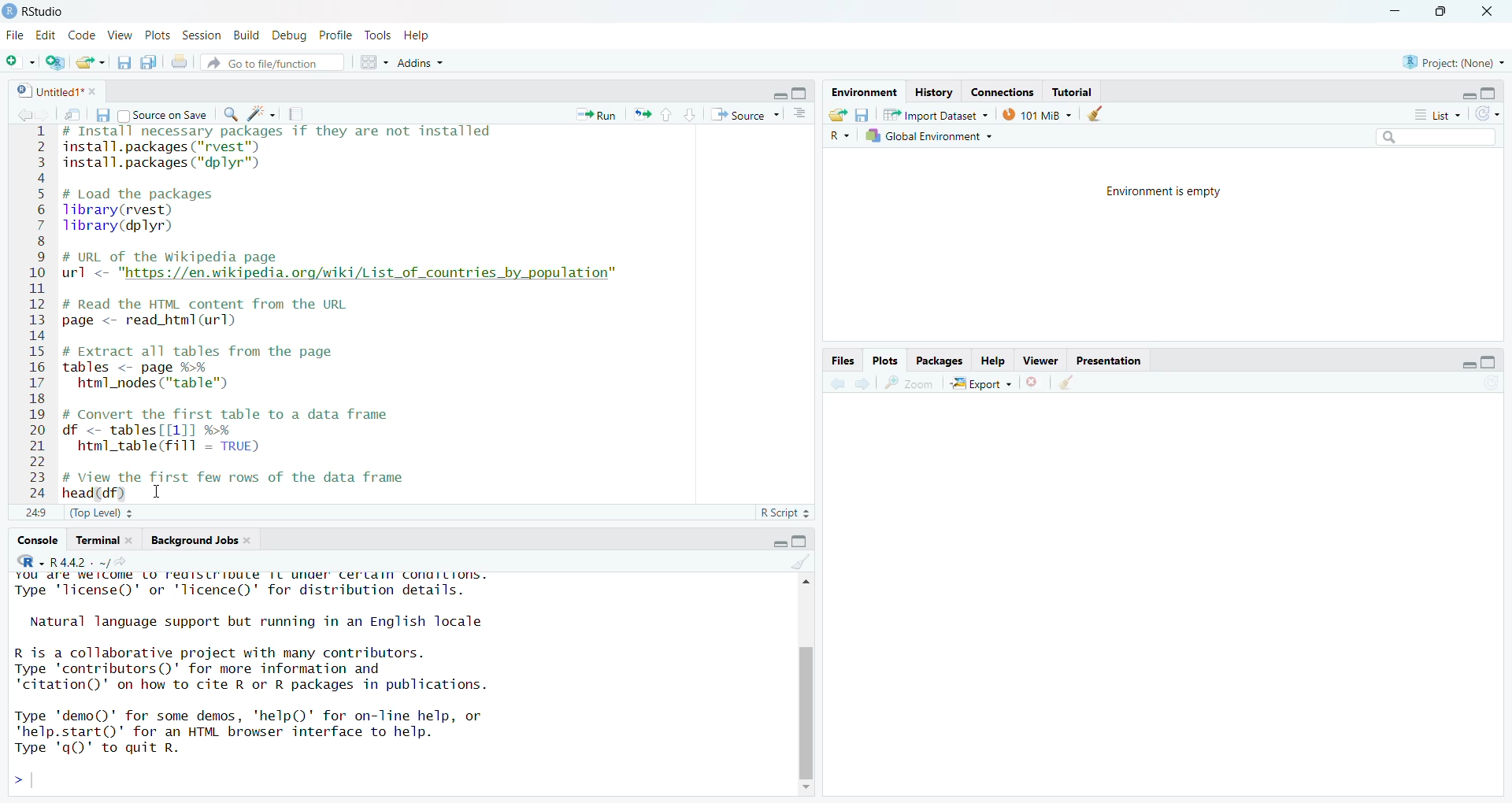 This screenshot has height=803, width=1512. What do you see at coordinates (295, 113) in the screenshot?
I see `compile report` at bounding box center [295, 113].